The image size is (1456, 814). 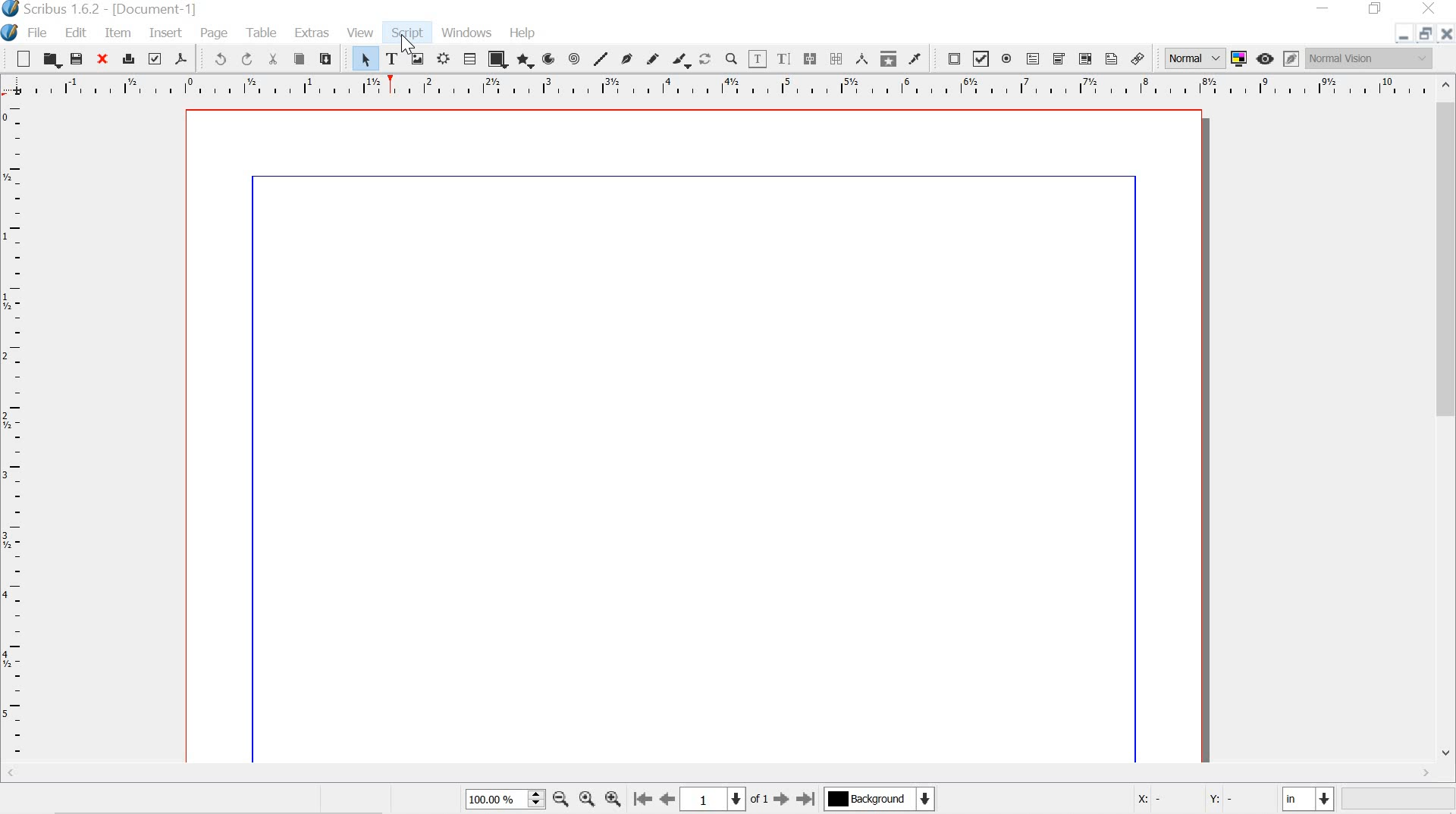 I want to click on copy item properties, so click(x=889, y=60).